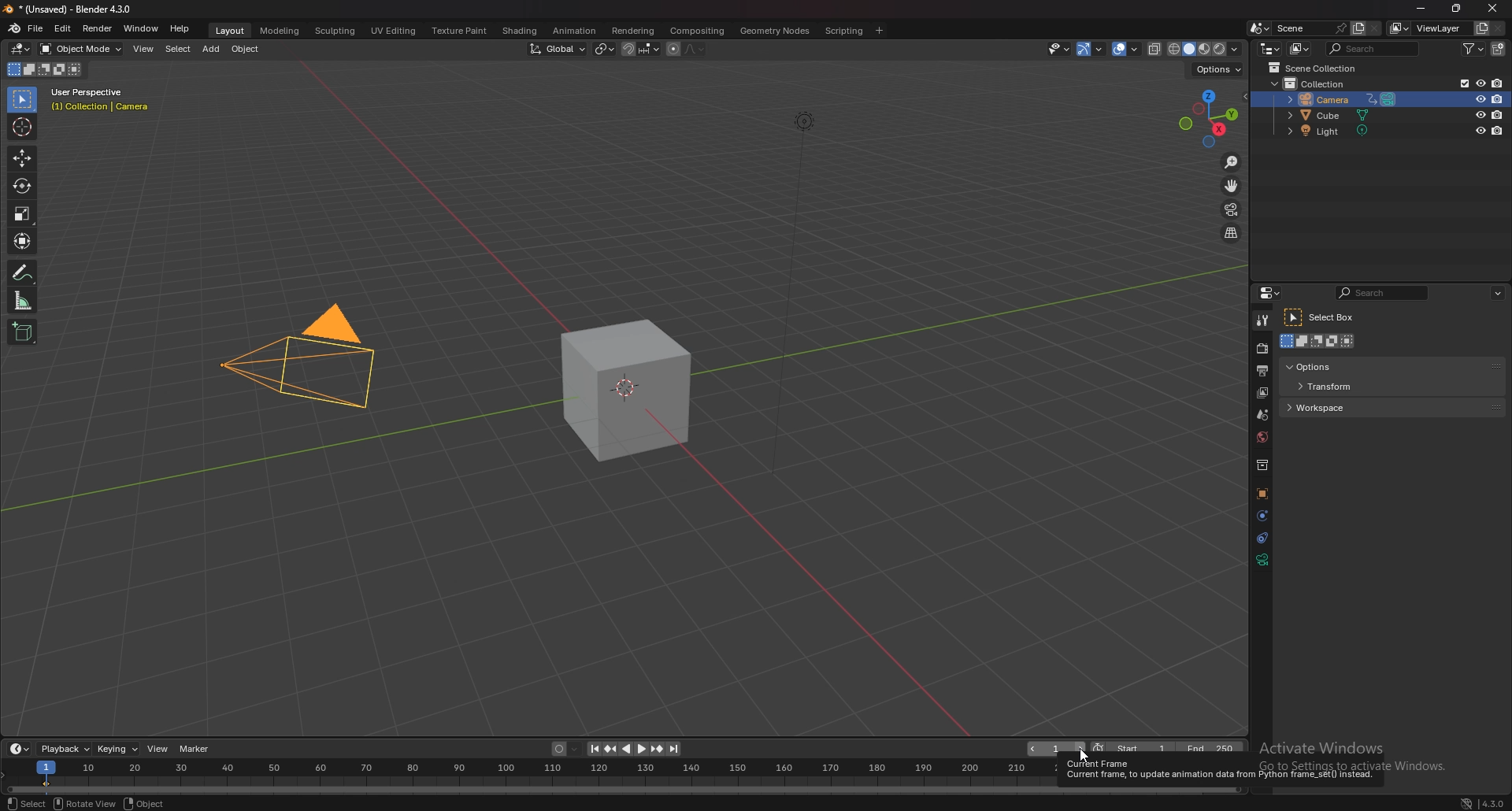 The width and height of the screenshot is (1512, 811). I want to click on objects, so click(1262, 494).